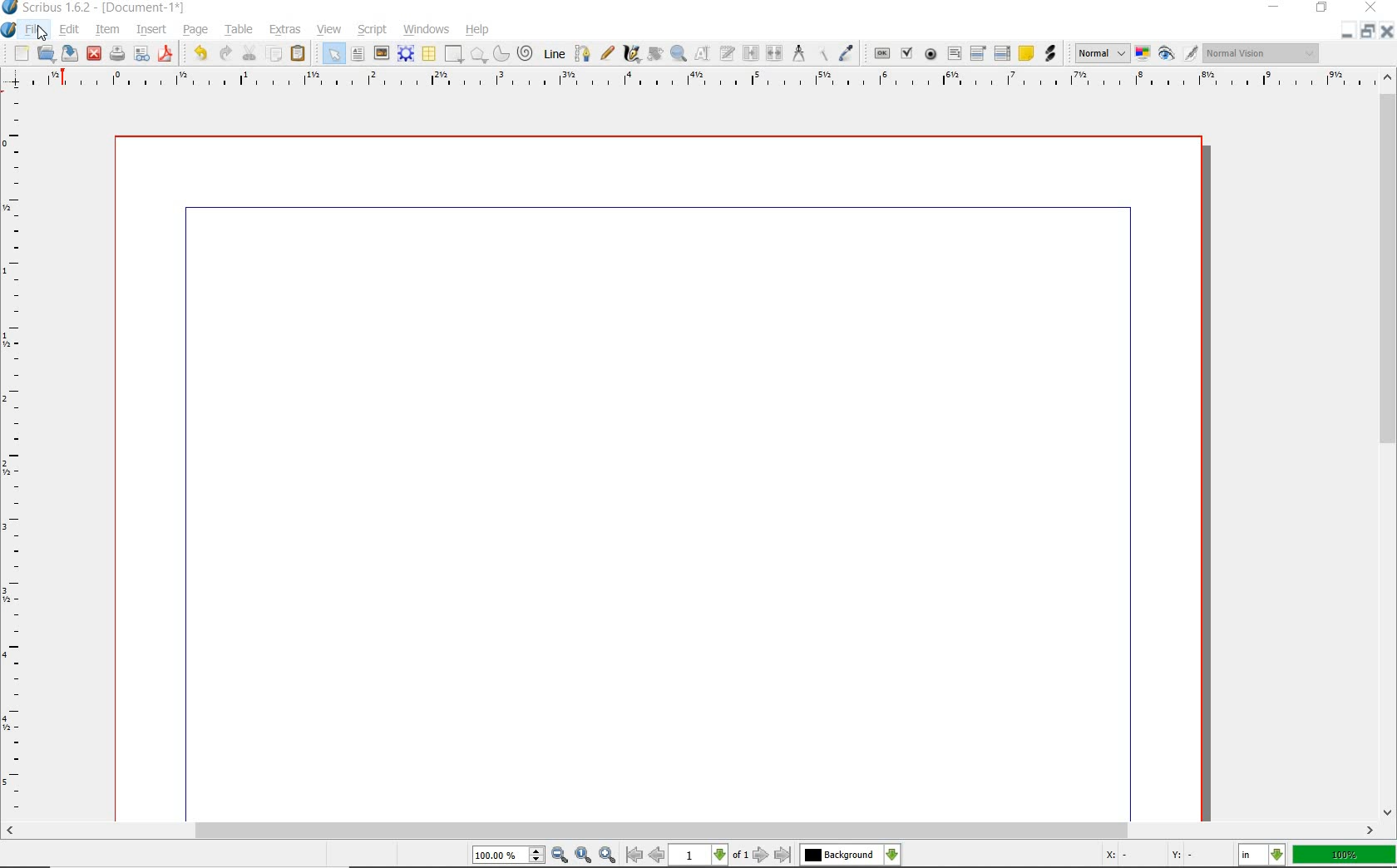 The image size is (1397, 868). What do you see at coordinates (848, 52) in the screenshot?
I see `eye dropper` at bounding box center [848, 52].